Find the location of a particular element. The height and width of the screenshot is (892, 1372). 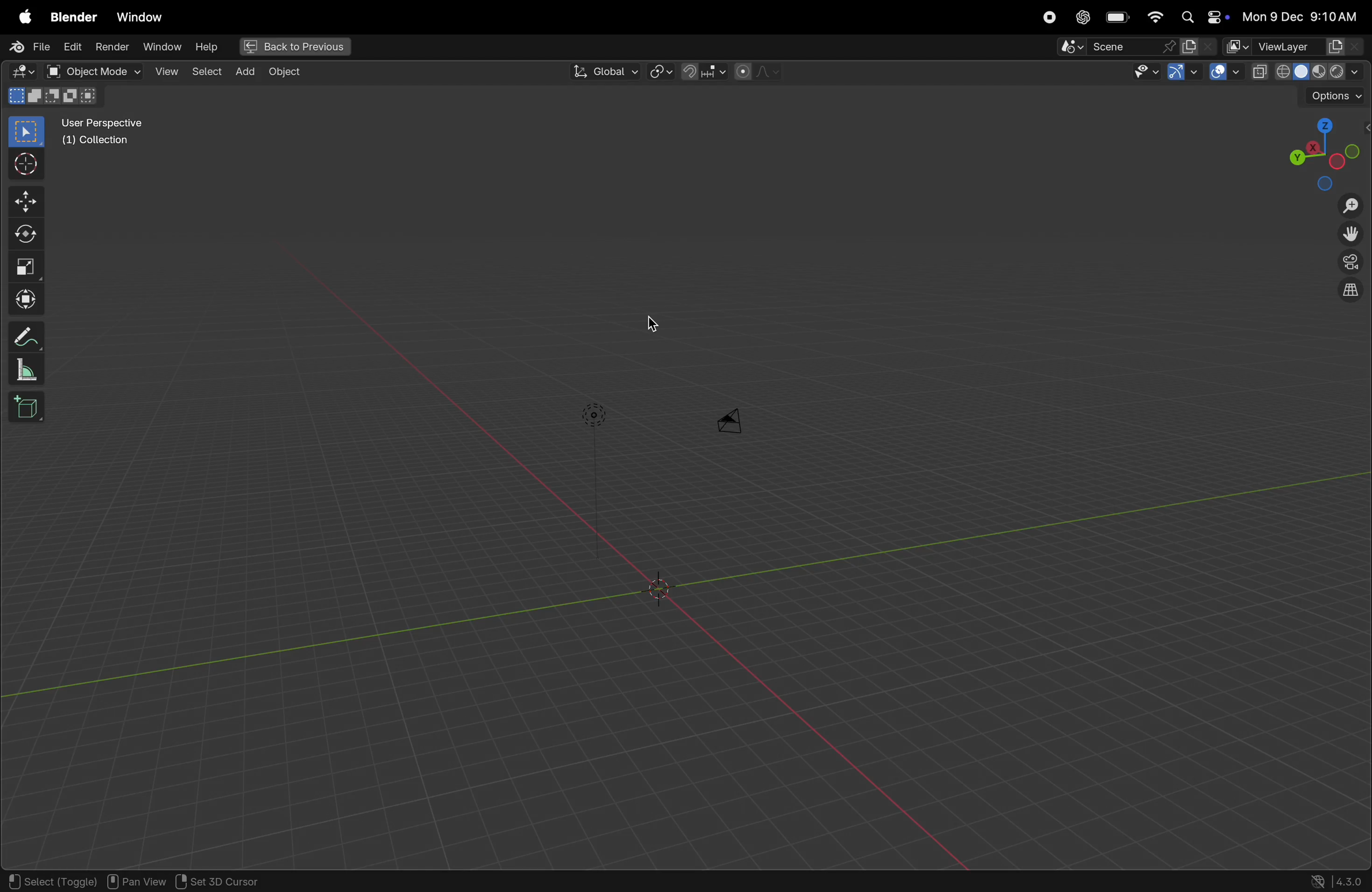

view point is located at coordinates (1321, 151).